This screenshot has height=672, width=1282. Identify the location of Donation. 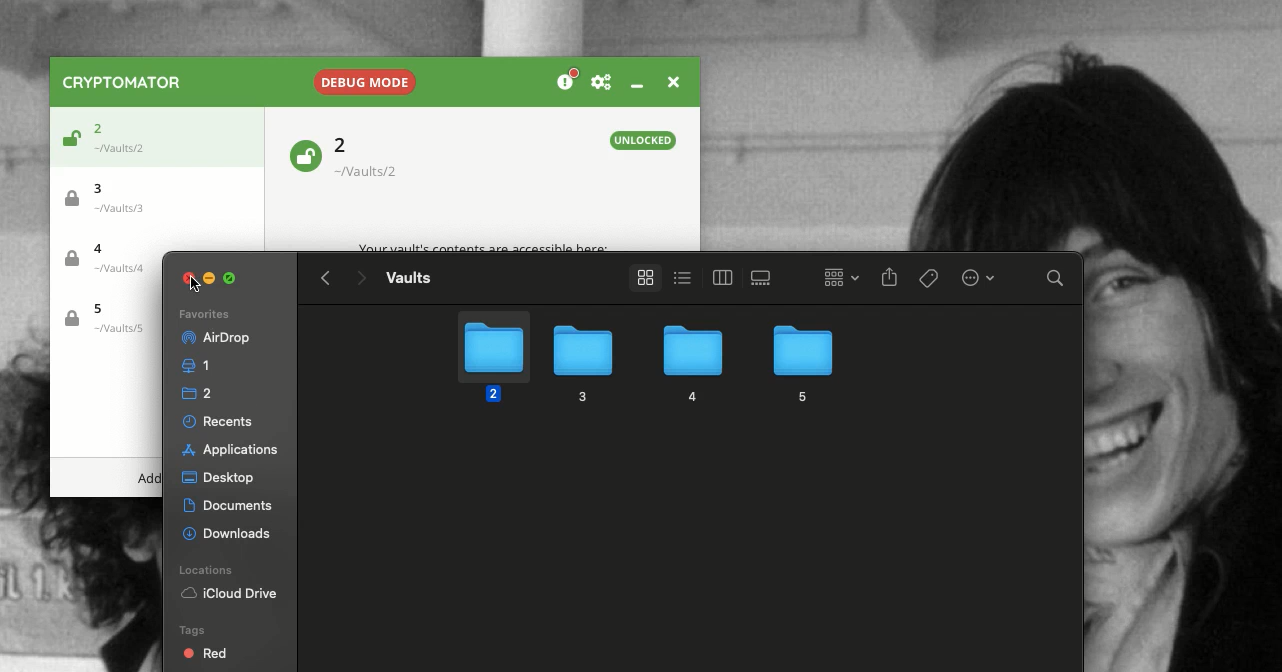
(568, 81).